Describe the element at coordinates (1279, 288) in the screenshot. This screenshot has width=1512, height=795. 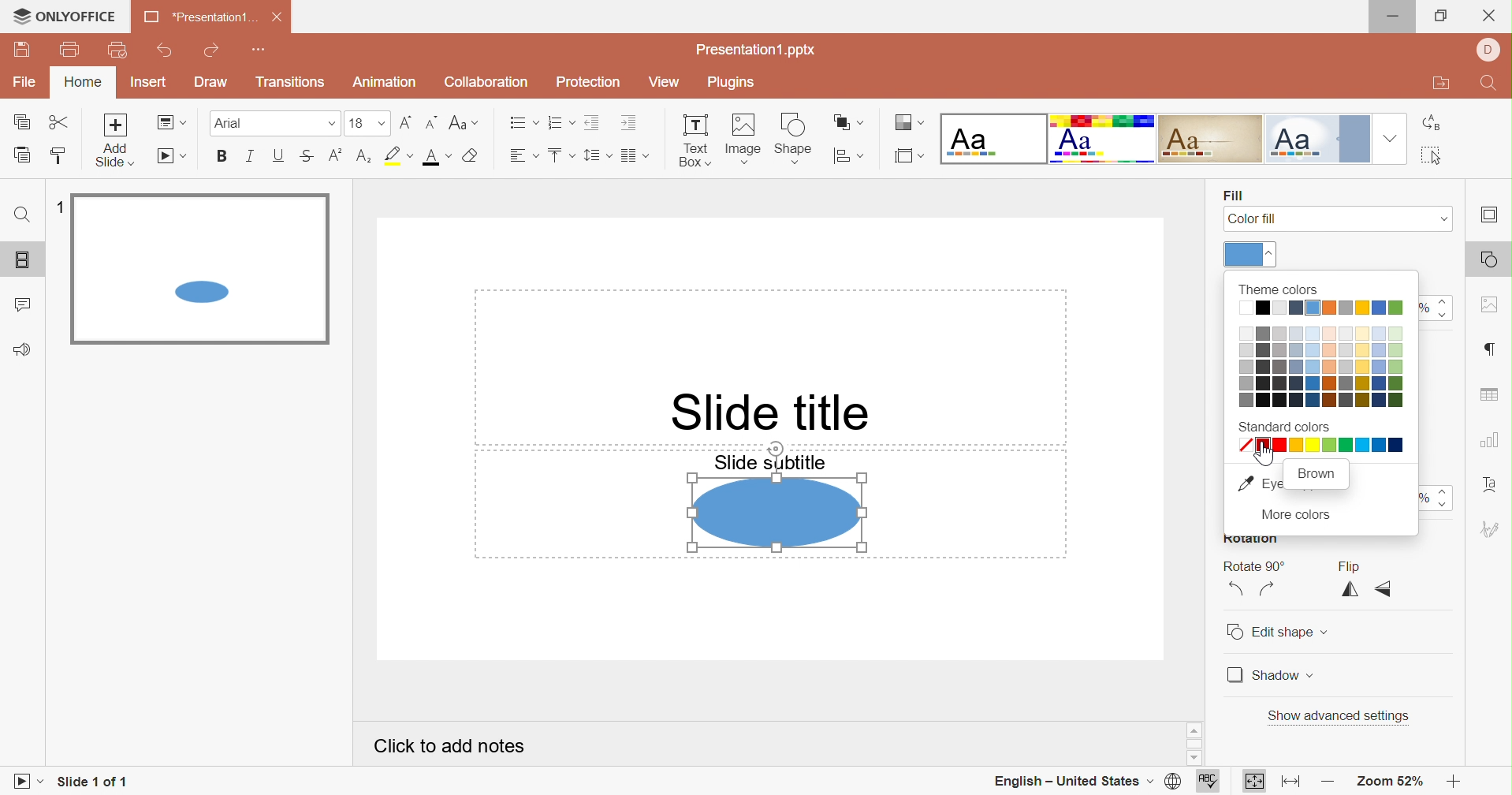
I see `Theme colors` at that location.